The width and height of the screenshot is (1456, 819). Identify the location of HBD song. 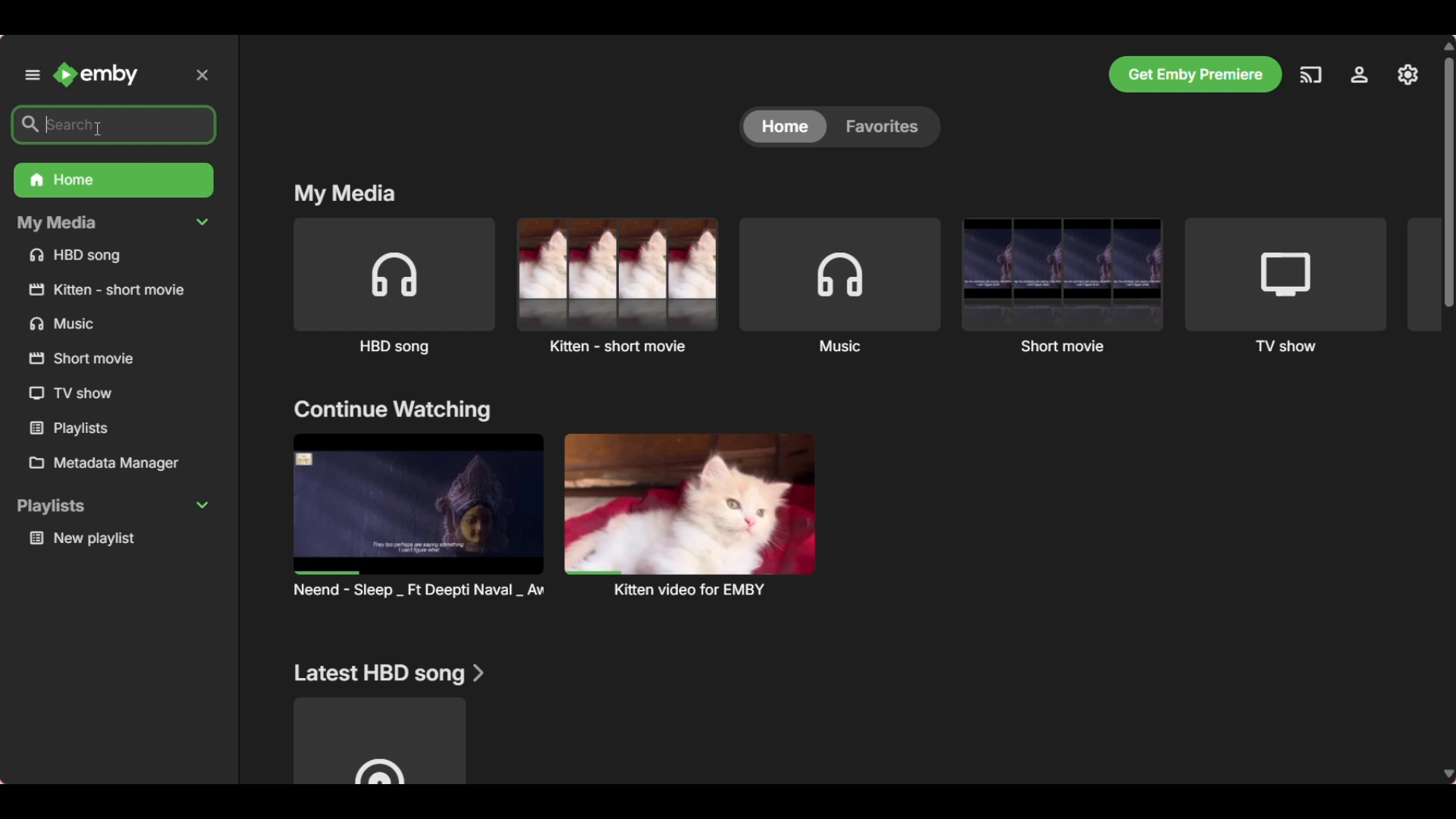
(393, 285).